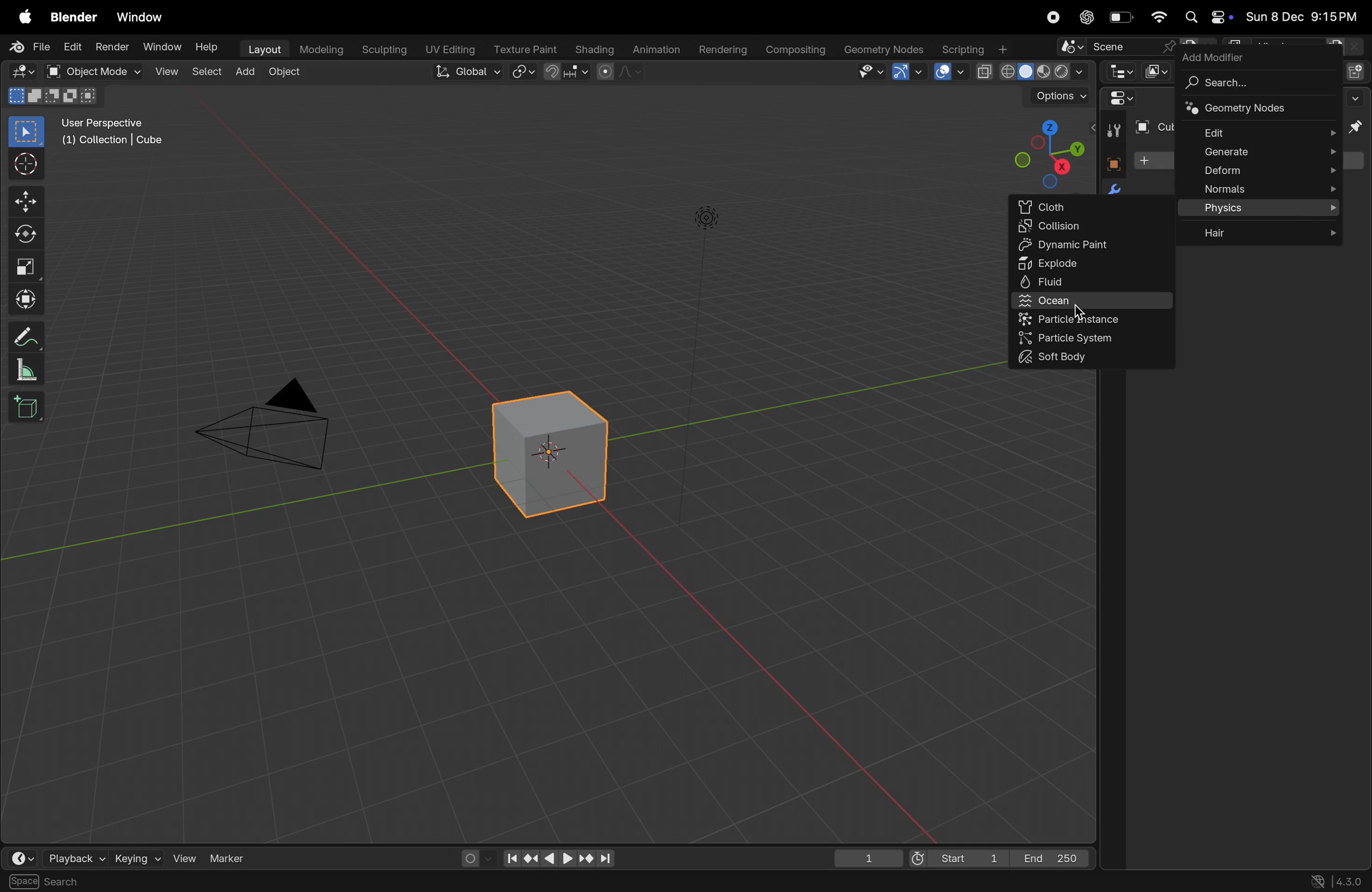  I want to click on rotate, so click(26, 236).